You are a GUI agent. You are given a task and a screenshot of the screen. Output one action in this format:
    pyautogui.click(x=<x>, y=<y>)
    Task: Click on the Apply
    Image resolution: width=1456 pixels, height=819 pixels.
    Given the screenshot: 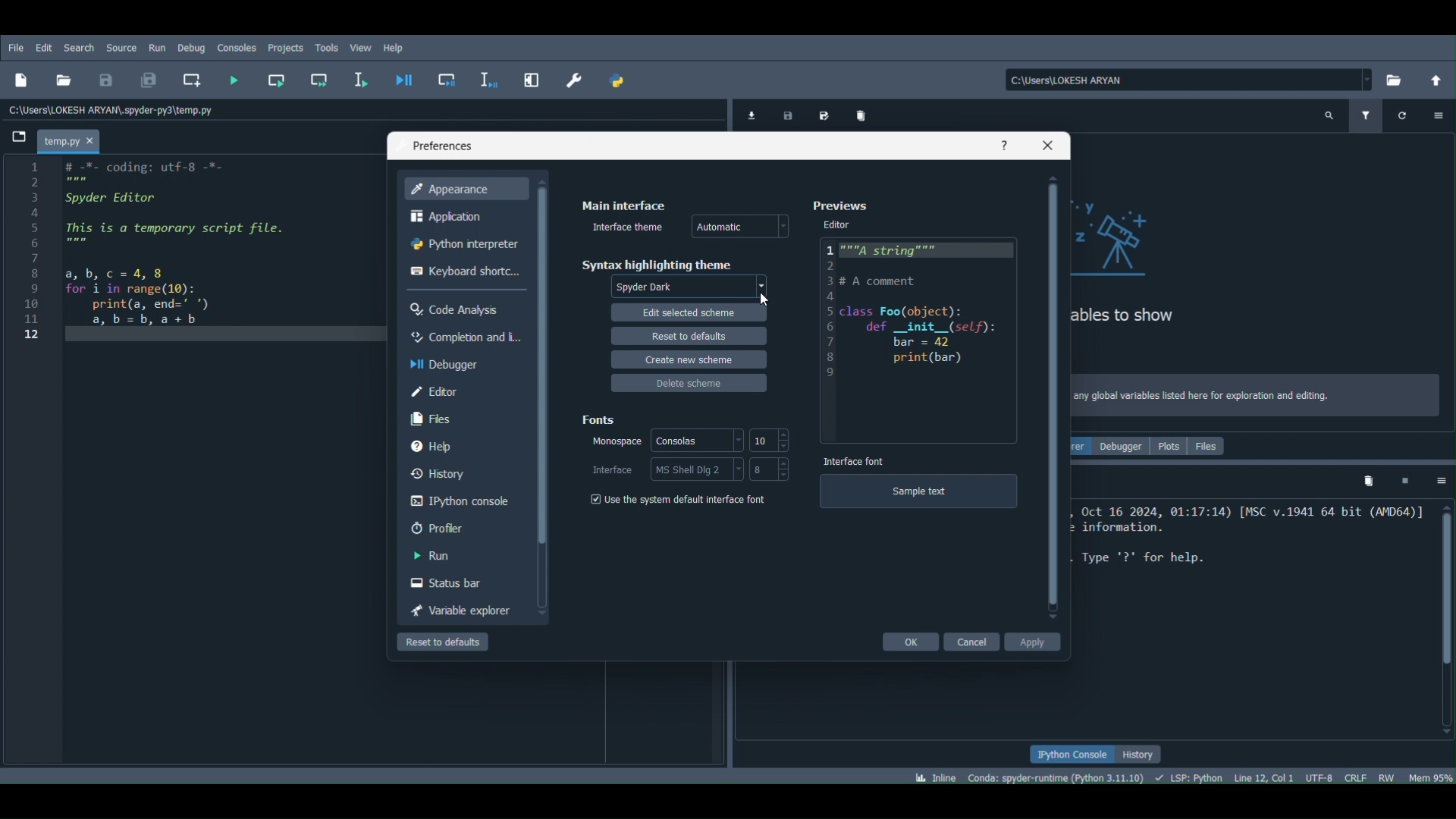 What is the action you would take?
    pyautogui.click(x=1032, y=641)
    